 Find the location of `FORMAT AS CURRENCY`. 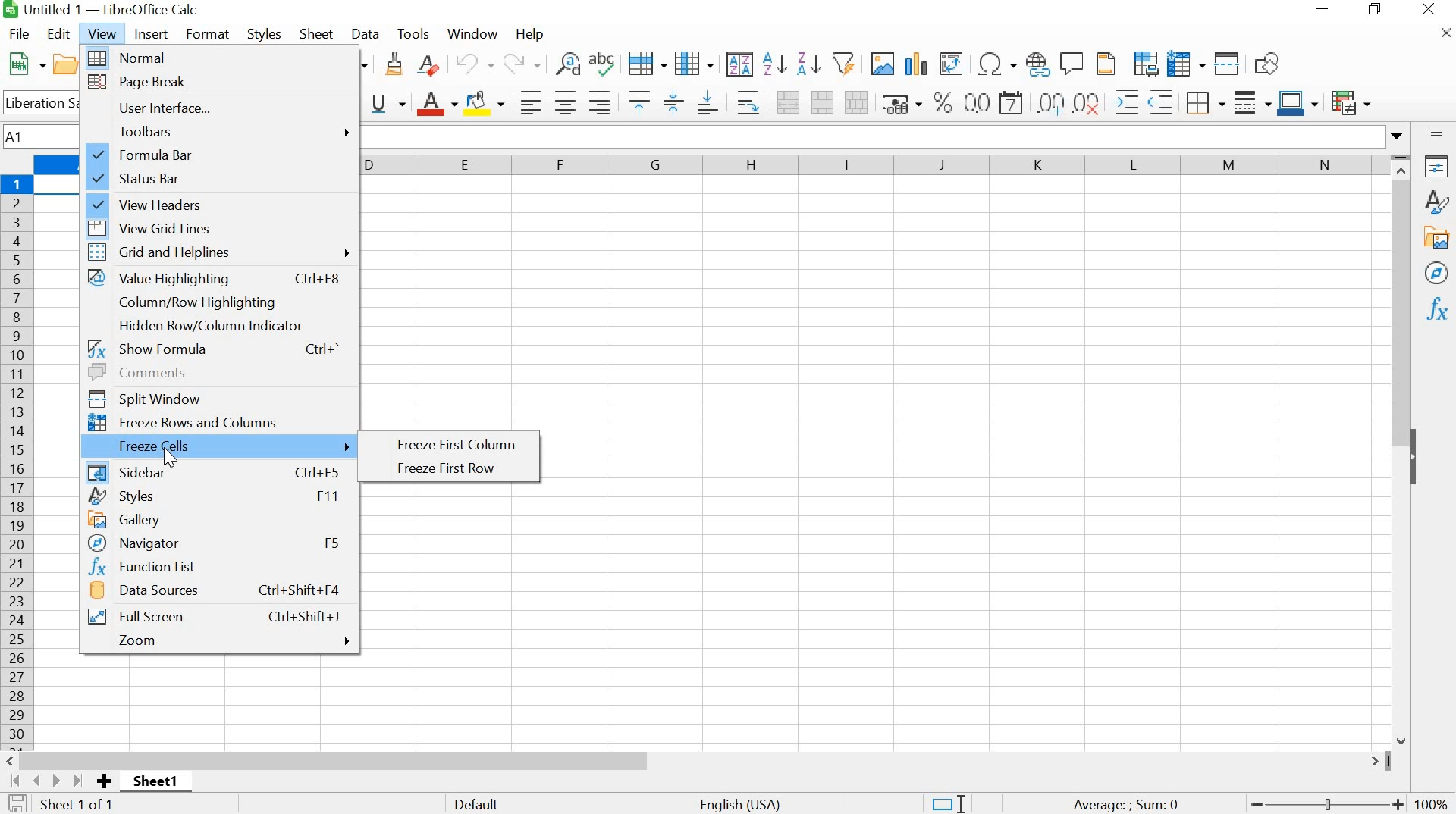

FORMAT AS CURRENCY is located at coordinates (902, 103).